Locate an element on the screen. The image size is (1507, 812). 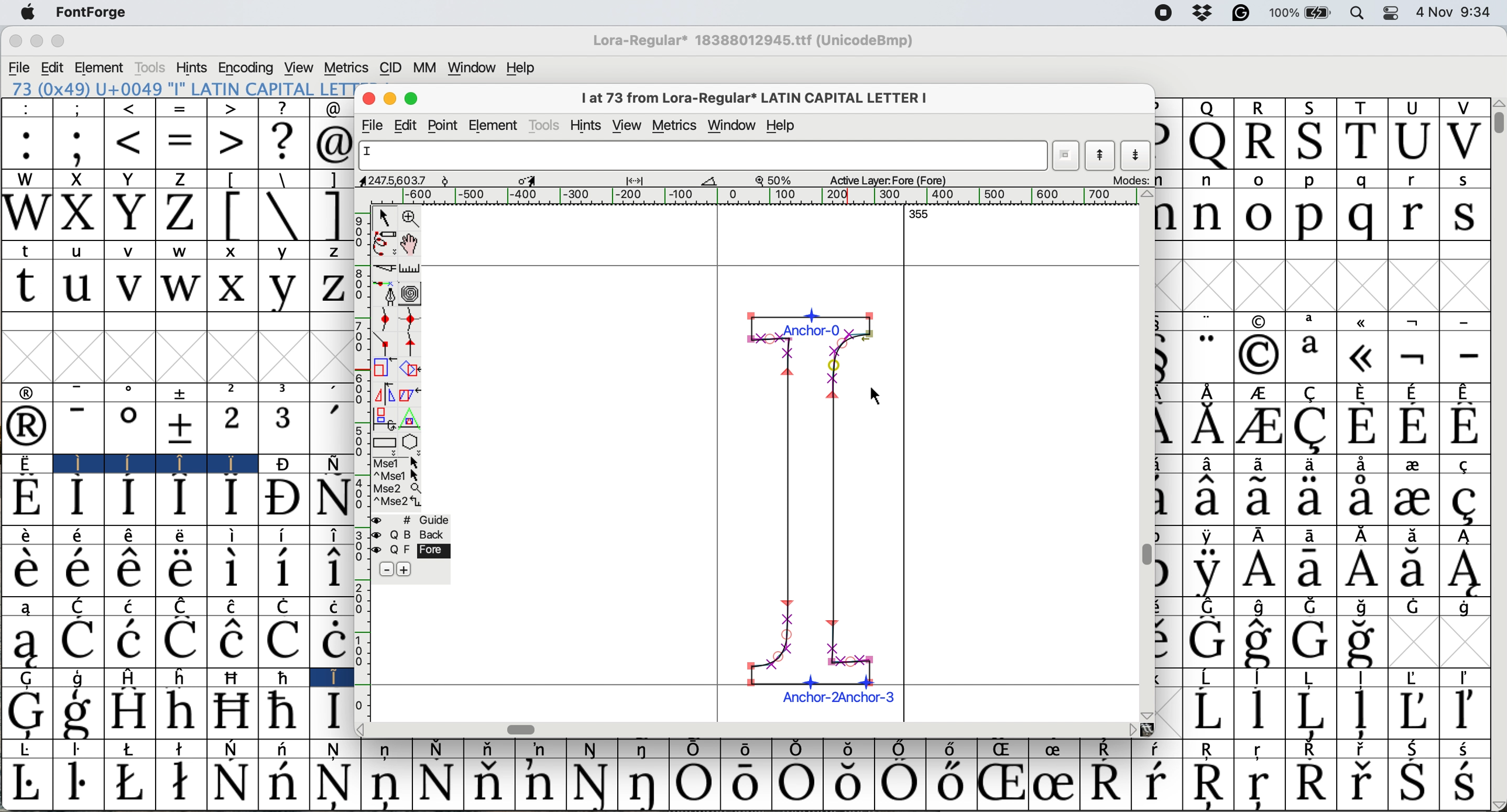
Symbol is located at coordinates (23, 713).